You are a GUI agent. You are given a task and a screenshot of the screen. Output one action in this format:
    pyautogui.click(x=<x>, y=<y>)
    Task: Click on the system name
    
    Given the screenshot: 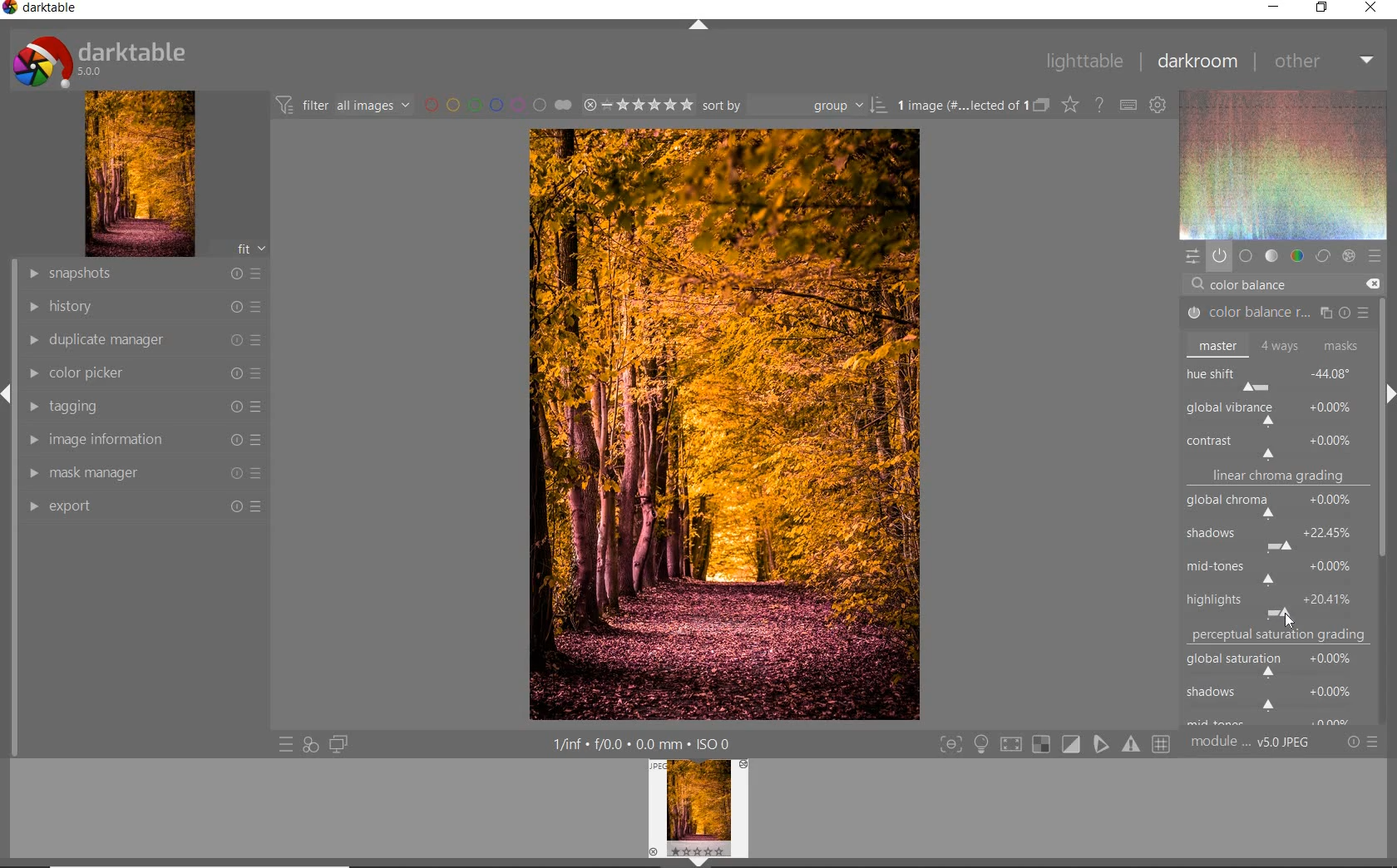 What is the action you would take?
    pyautogui.click(x=40, y=8)
    